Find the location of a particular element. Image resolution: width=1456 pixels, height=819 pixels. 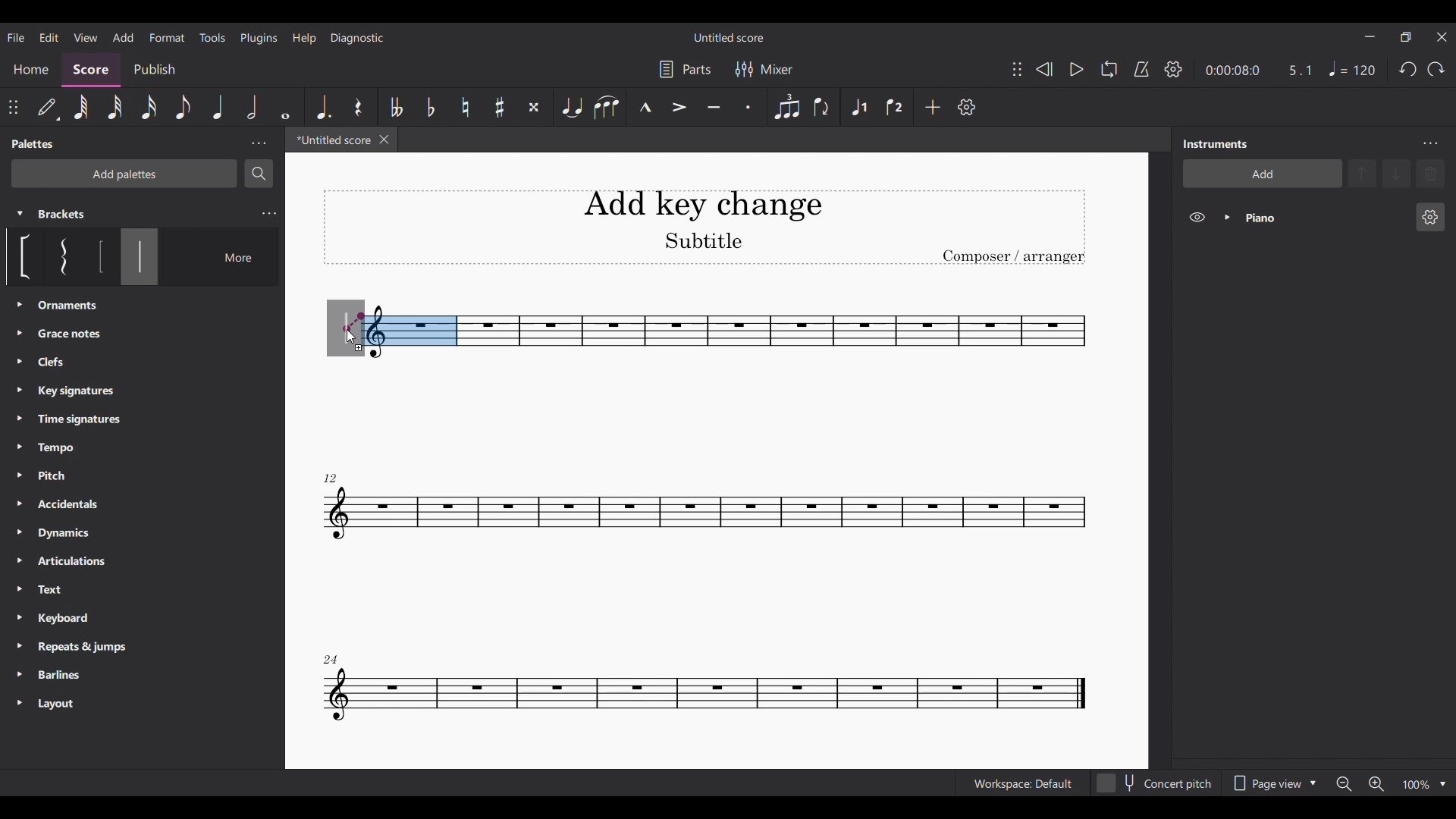

Mixer is located at coordinates (764, 70).